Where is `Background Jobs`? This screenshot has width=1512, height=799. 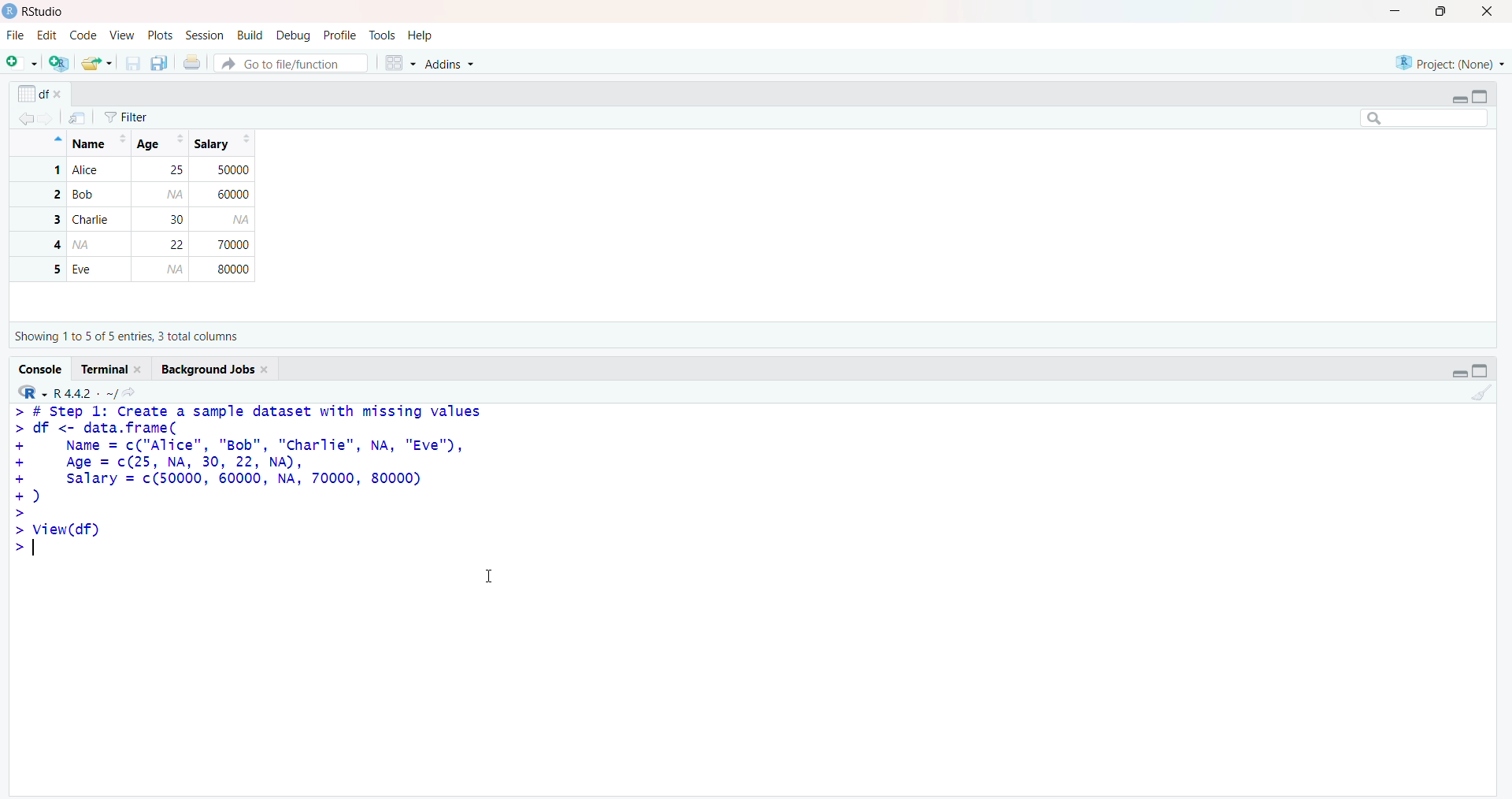
Background Jobs is located at coordinates (213, 370).